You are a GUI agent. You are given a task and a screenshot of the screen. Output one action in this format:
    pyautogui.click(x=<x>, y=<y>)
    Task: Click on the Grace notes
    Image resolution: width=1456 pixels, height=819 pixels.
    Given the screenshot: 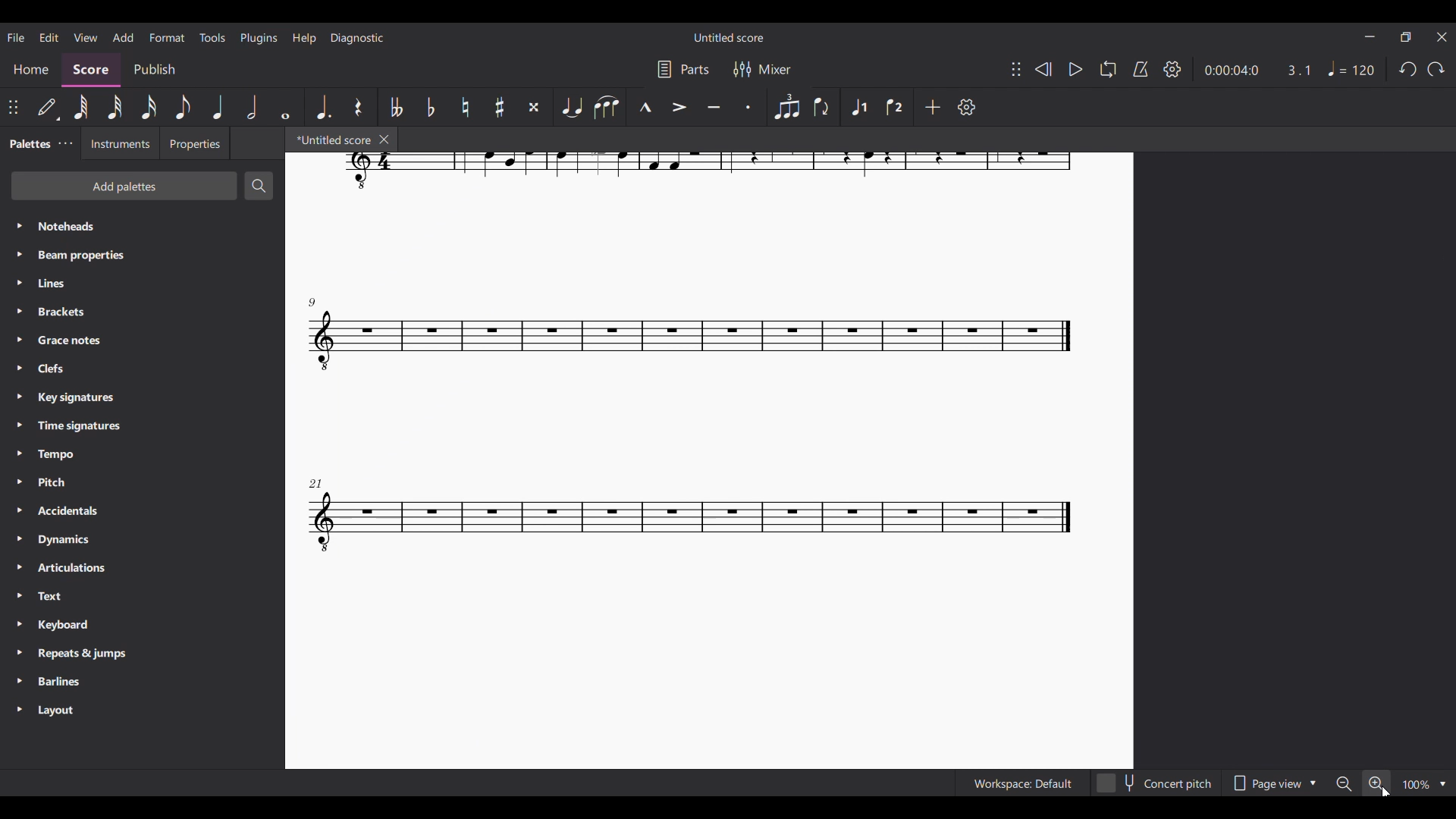 What is the action you would take?
    pyautogui.click(x=143, y=340)
    